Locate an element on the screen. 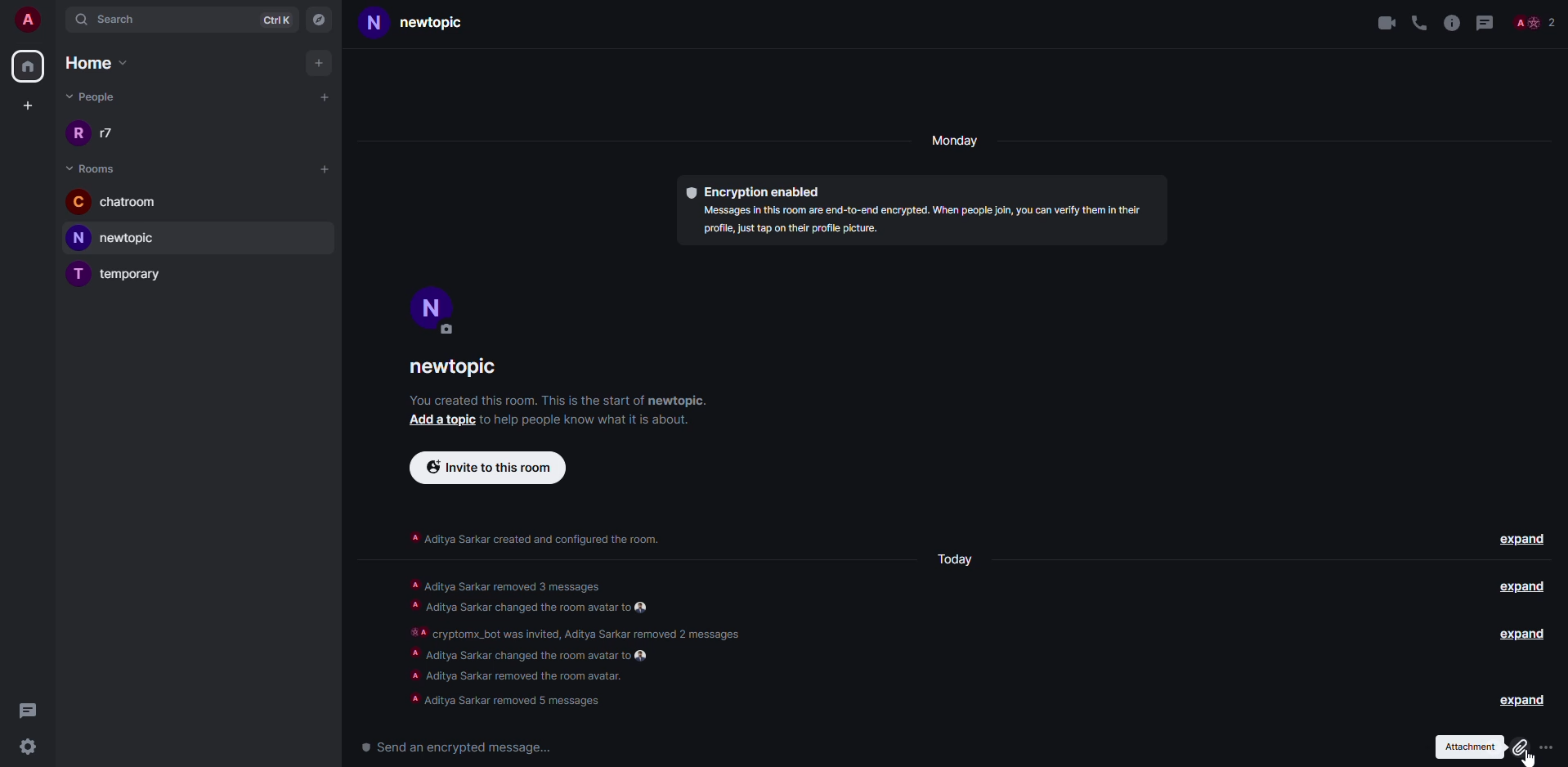 Image resolution: width=1568 pixels, height=767 pixels.  is located at coordinates (1540, 21).